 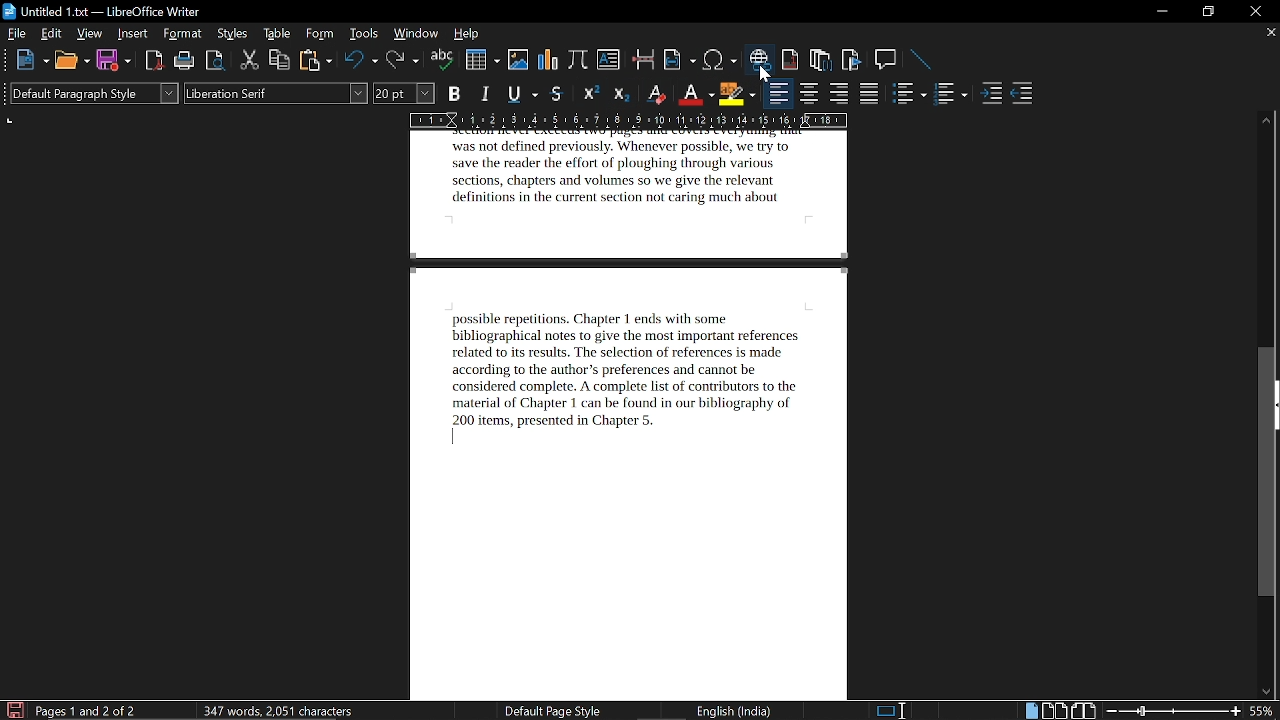 What do you see at coordinates (518, 62) in the screenshot?
I see `insert image` at bounding box center [518, 62].